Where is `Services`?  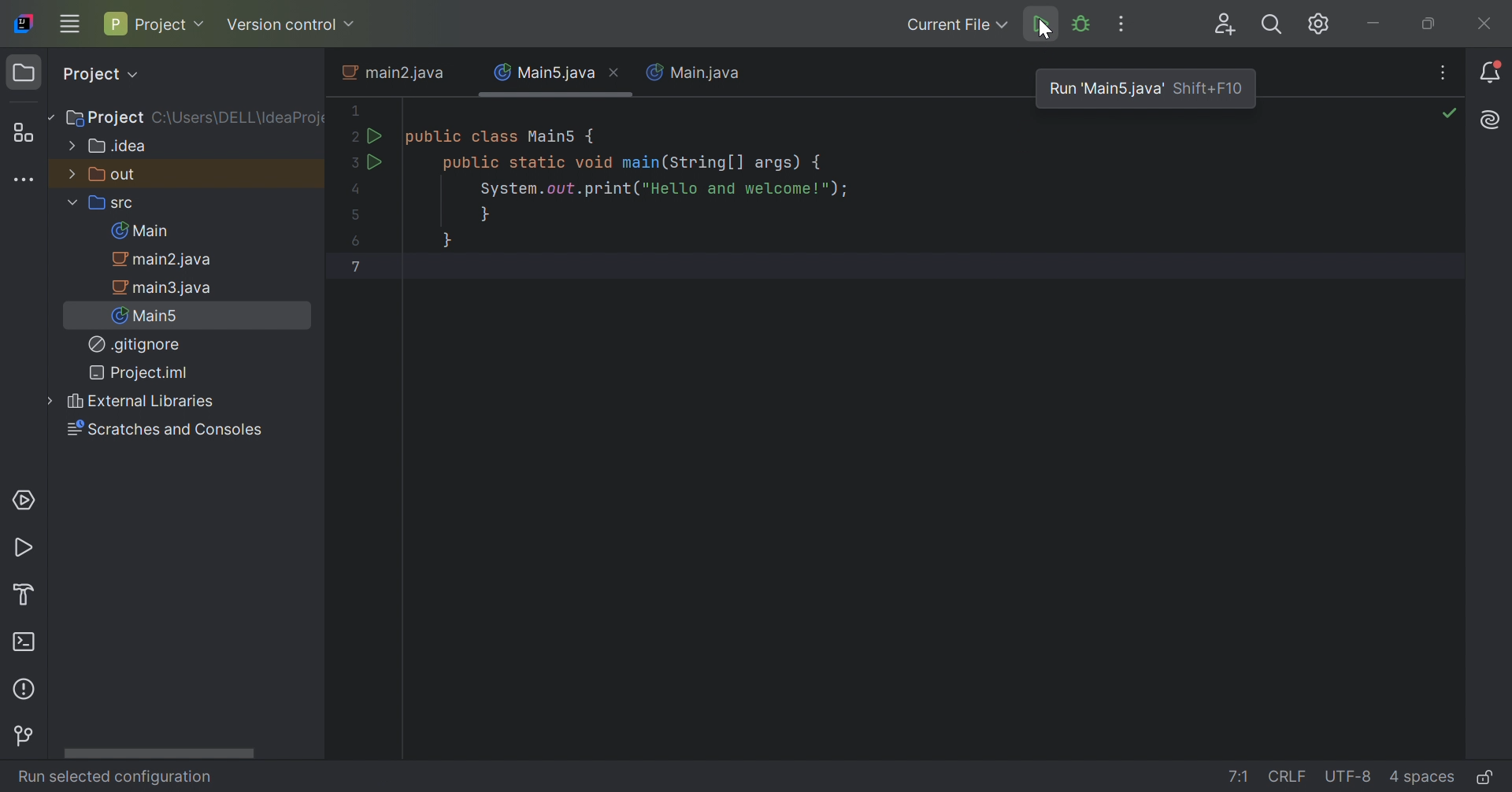
Services is located at coordinates (24, 498).